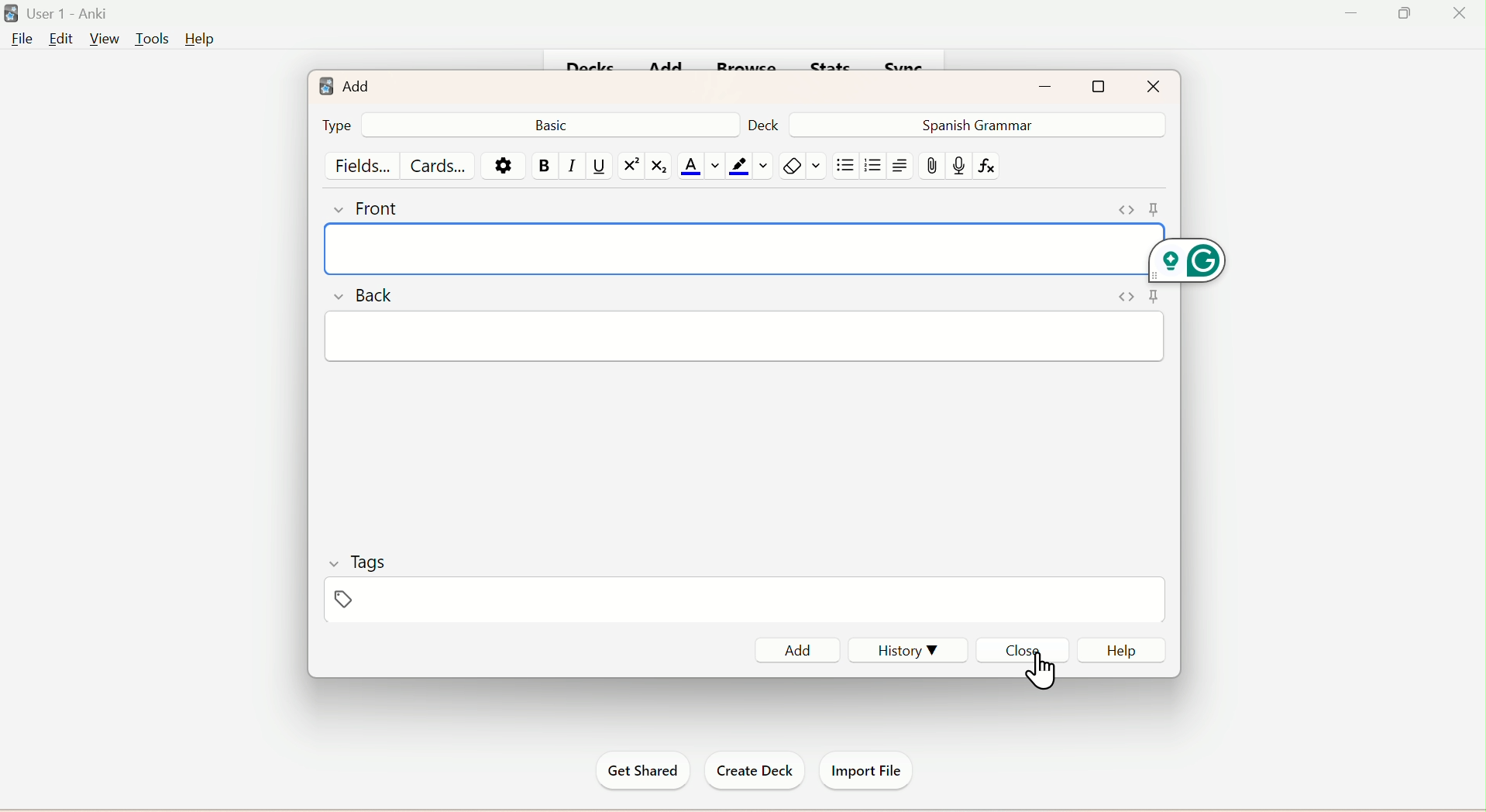 The height and width of the screenshot is (812, 1486). I want to click on Close, so click(1021, 649).